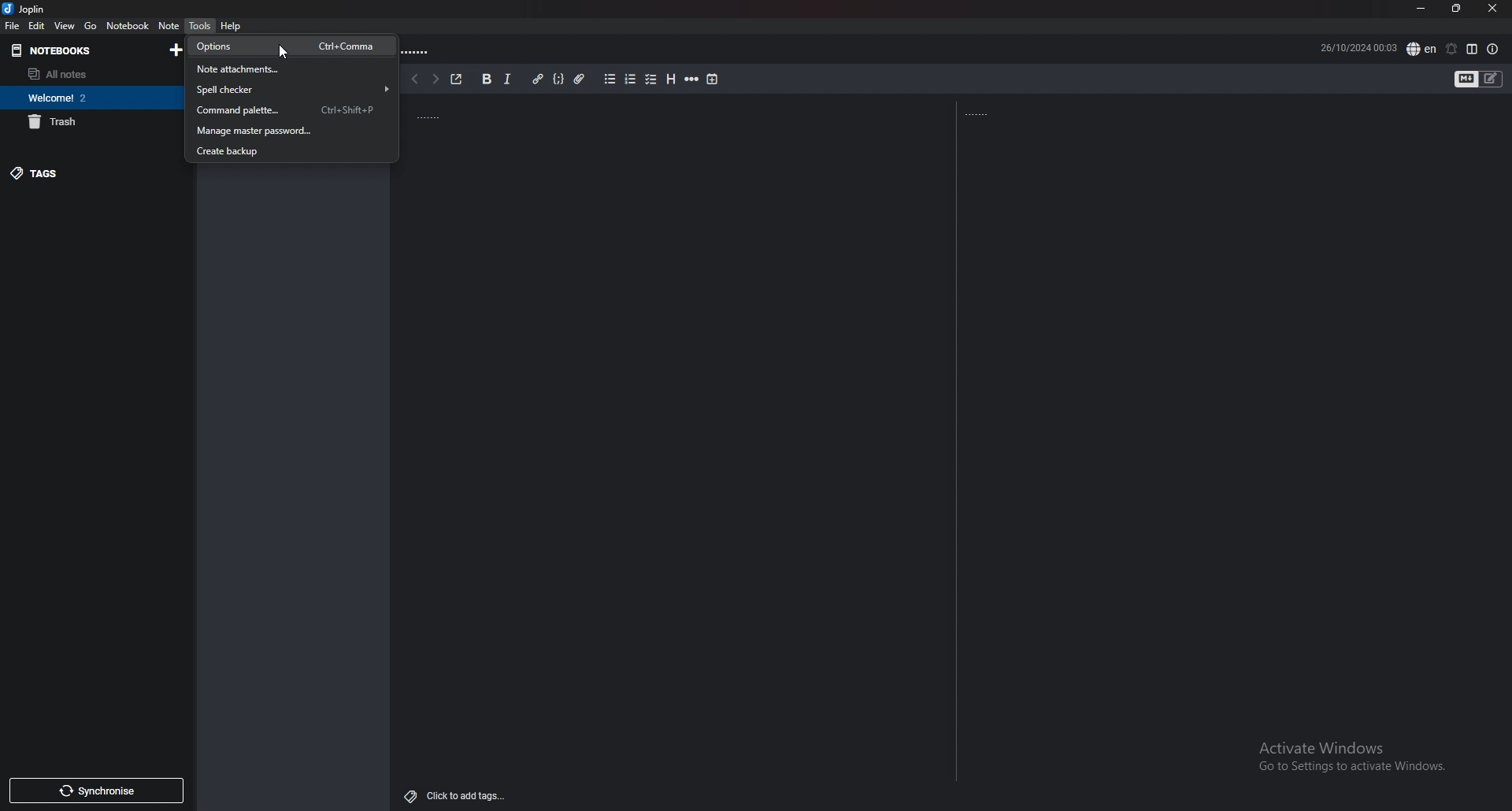 The image size is (1512, 811). What do you see at coordinates (652, 80) in the screenshot?
I see `checkbox` at bounding box center [652, 80].